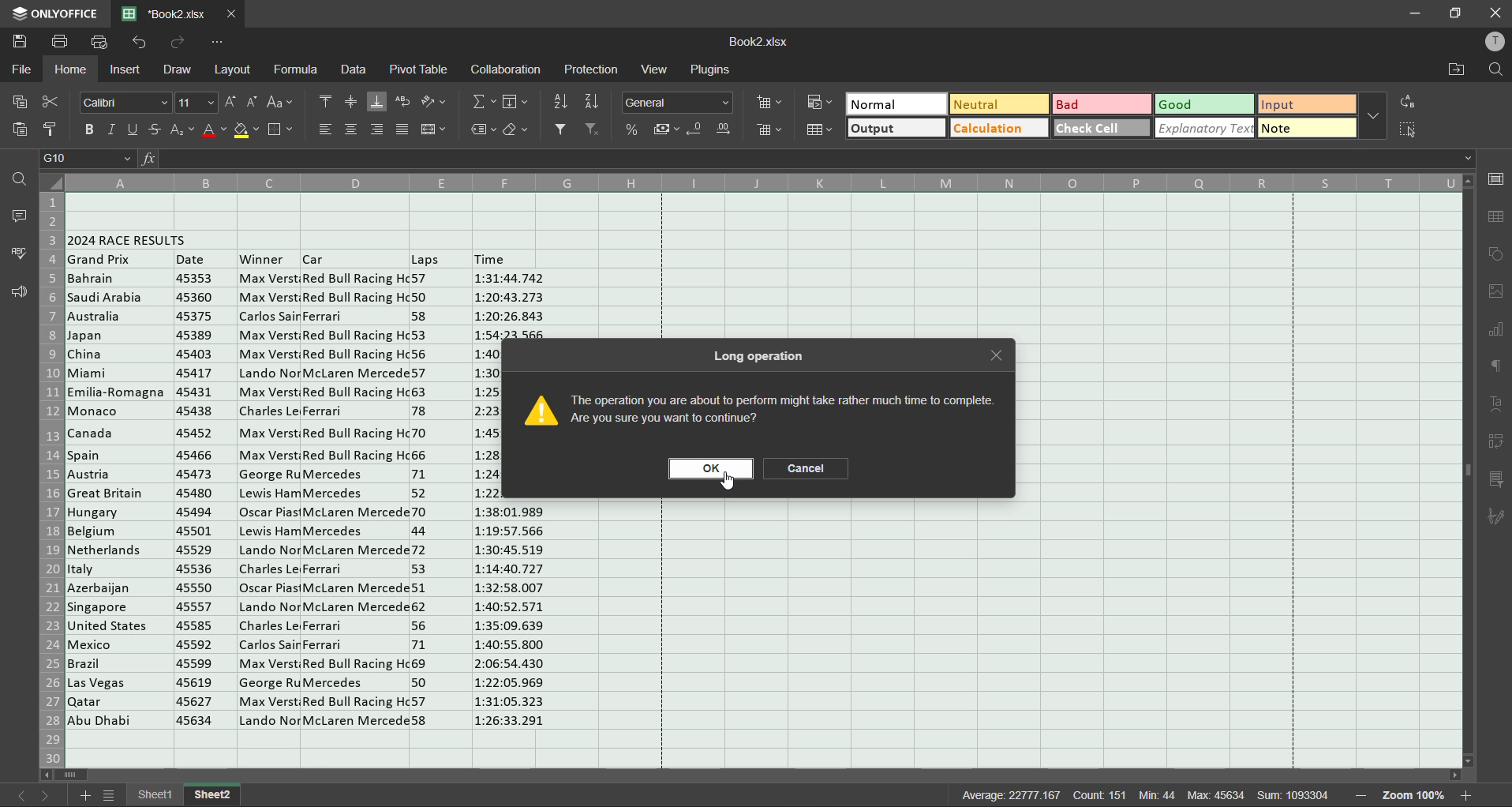  What do you see at coordinates (91, 129) in the screenshot?
I see `bold` at bounding box center [91, 129].